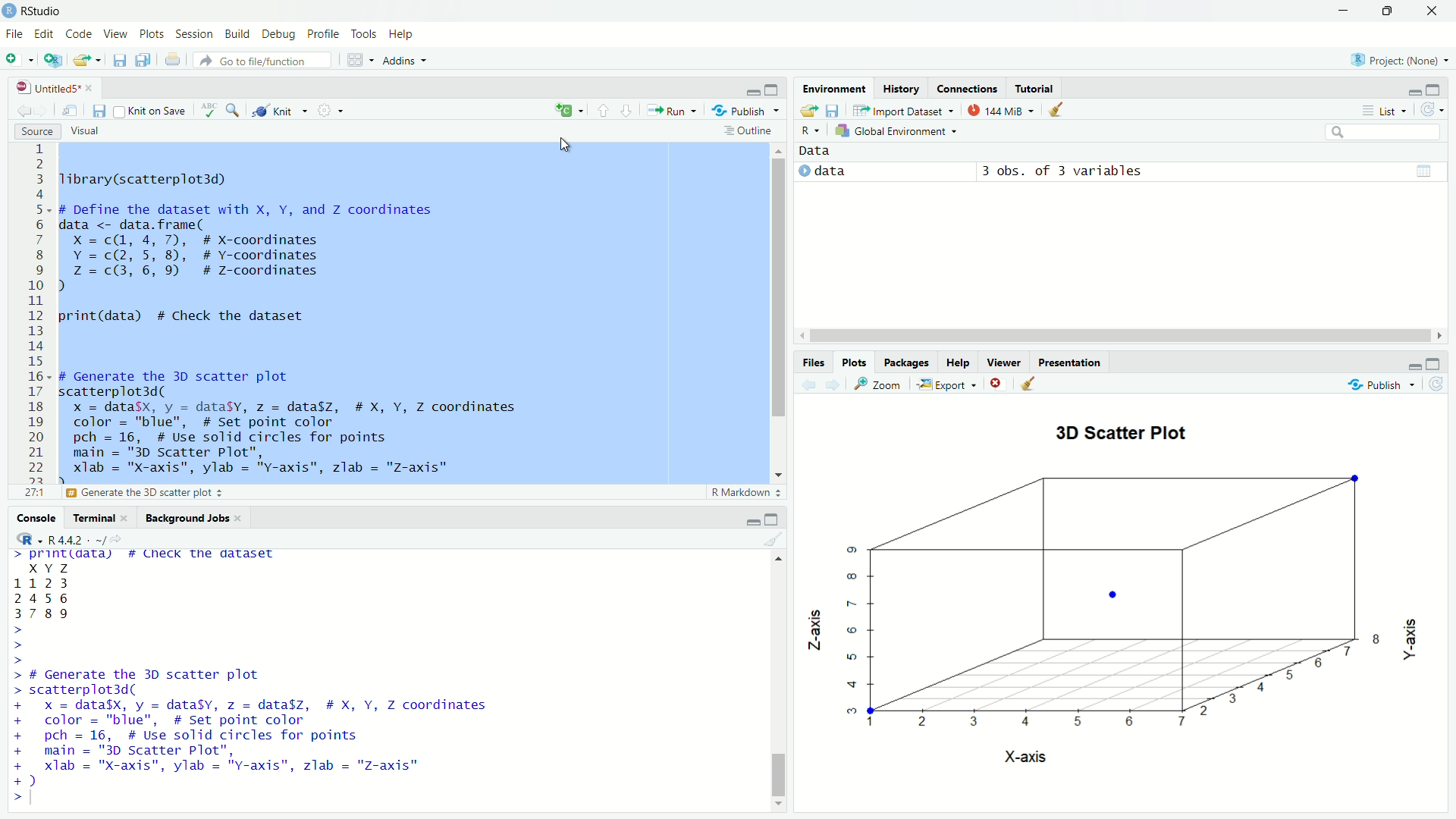  I want to click on play, so click(800, 172).